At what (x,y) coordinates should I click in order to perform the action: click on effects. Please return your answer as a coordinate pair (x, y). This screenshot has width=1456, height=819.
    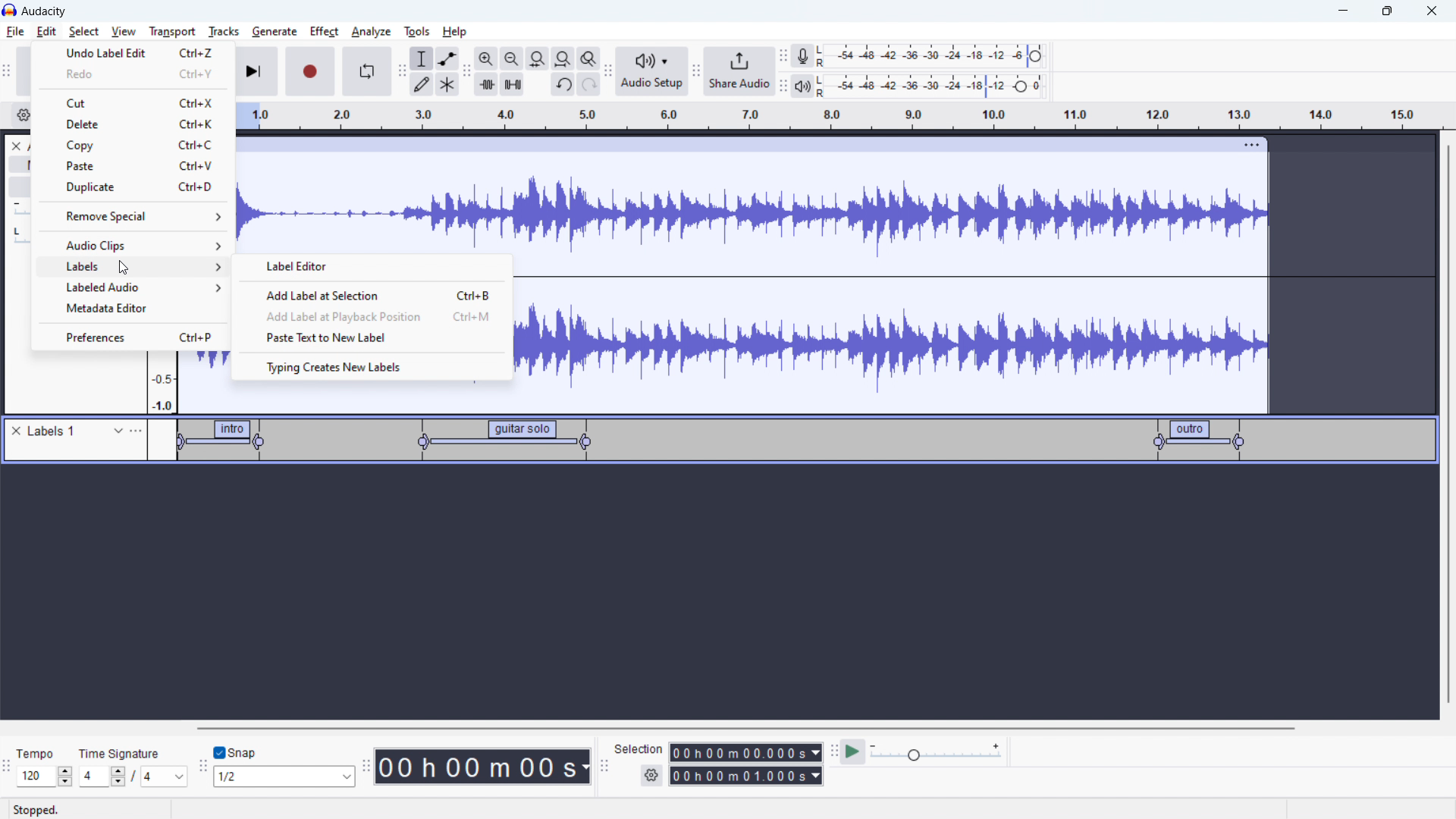
    Looking at the image, I should click on (20, 188).